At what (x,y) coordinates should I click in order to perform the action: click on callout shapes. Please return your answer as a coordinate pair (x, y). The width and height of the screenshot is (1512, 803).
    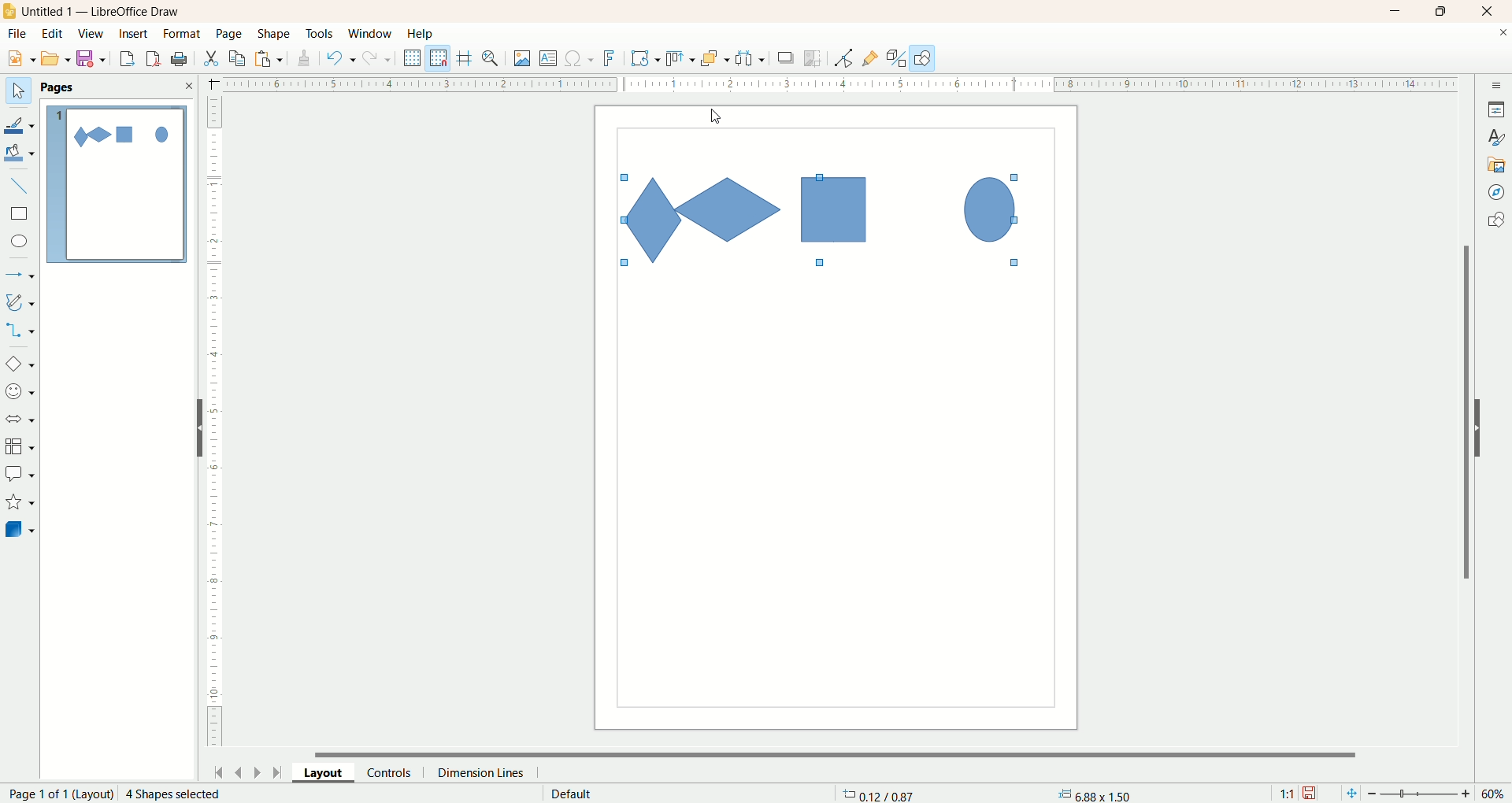
    Looking at the image, I should click on (20, 475).